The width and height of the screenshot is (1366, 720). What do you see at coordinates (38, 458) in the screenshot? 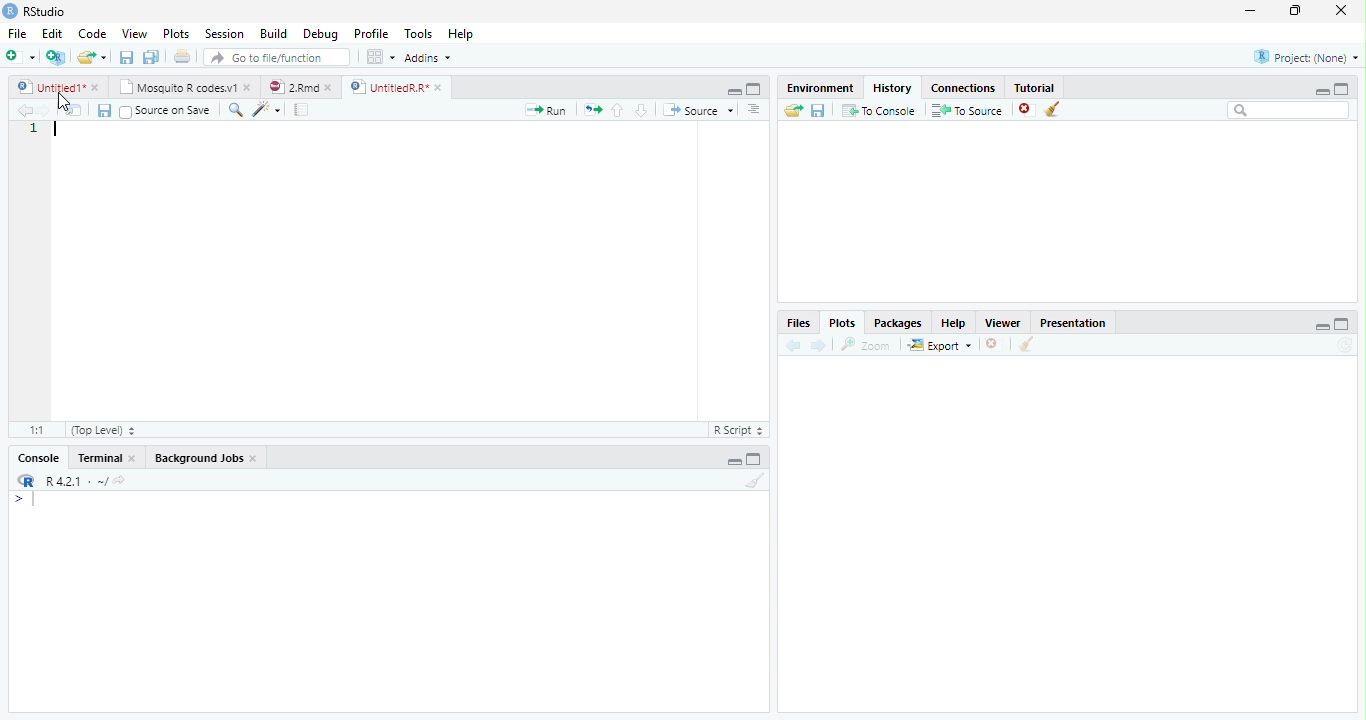
I see `Console` at bounding box center [38, 458].